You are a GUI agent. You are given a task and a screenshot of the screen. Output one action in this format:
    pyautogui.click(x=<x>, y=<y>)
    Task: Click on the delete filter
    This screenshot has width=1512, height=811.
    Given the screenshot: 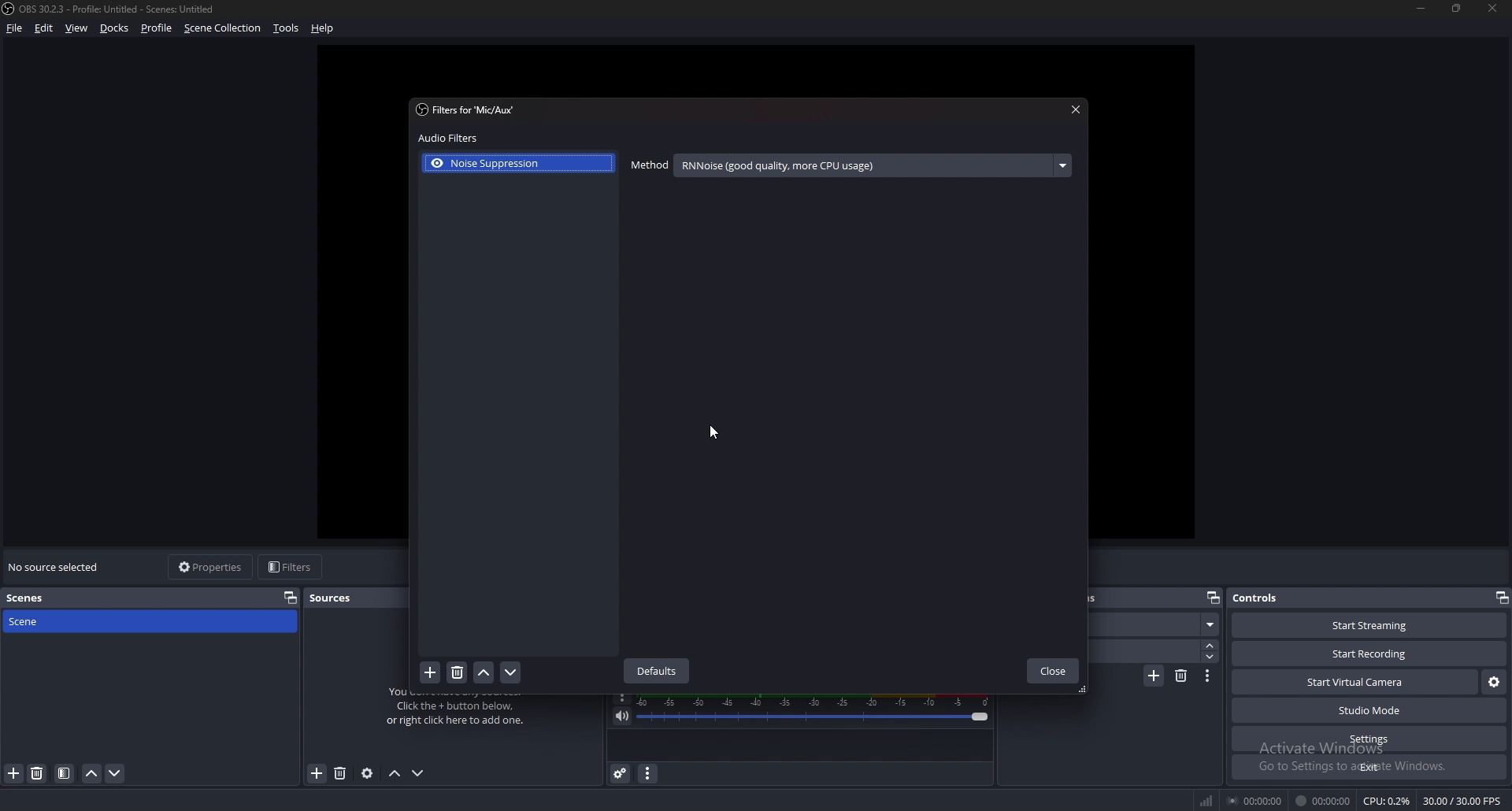 What is the action you would take?
    pyautogui.click(x=458, y=671)
    